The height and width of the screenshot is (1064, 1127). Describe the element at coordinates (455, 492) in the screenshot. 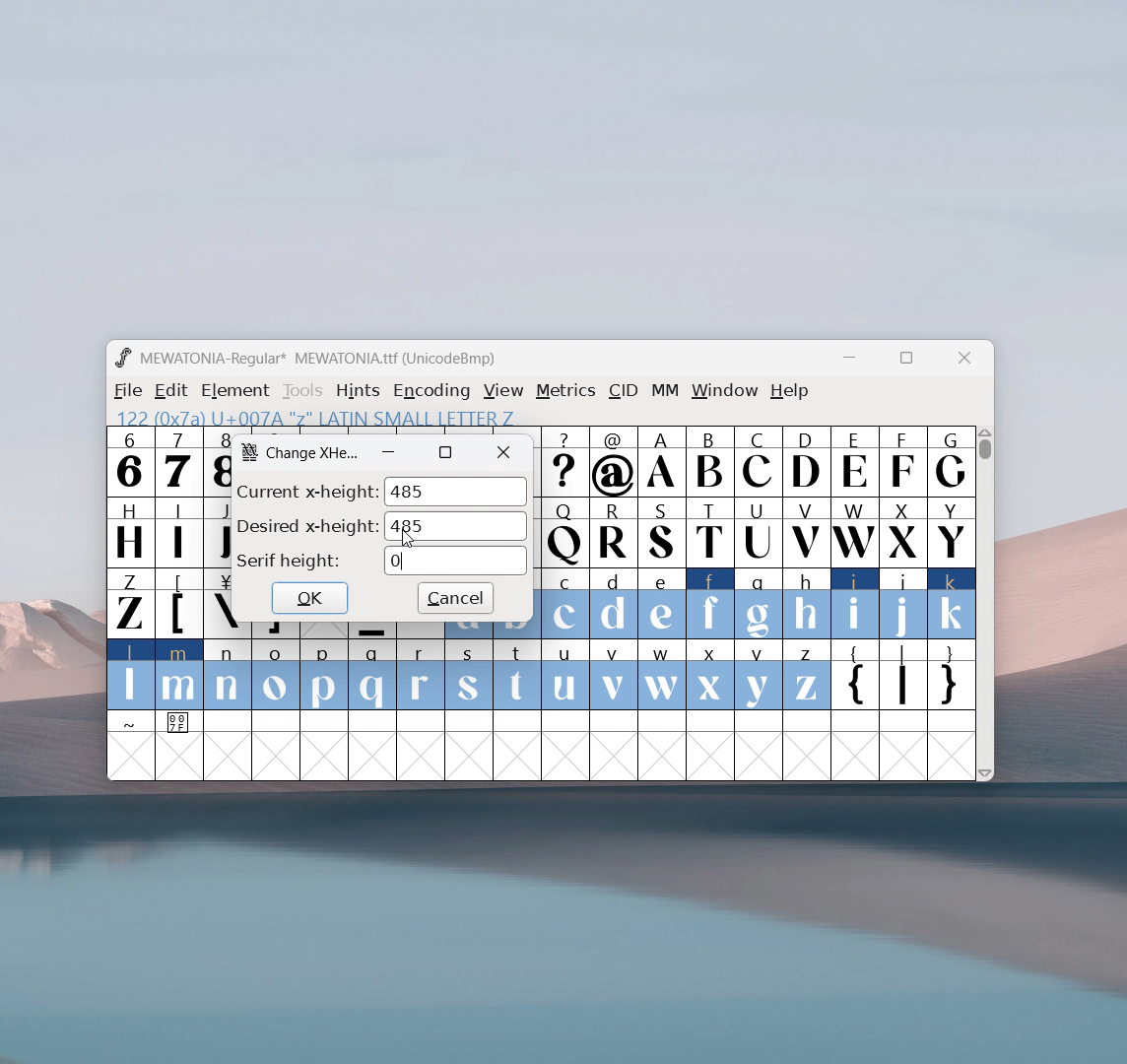

I see `485` at that location.